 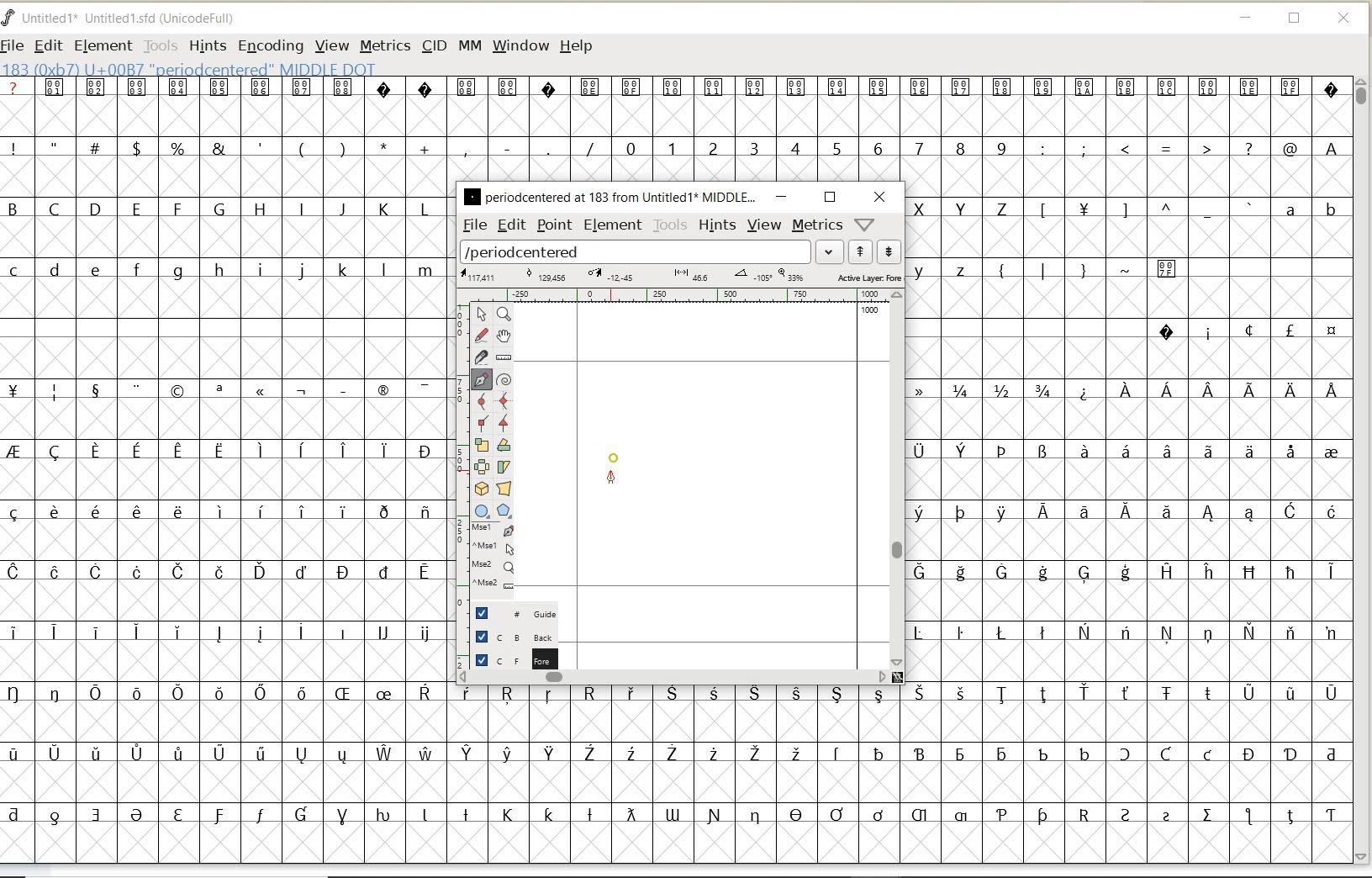 I want to click on load word list, so click(x=636, y=252).